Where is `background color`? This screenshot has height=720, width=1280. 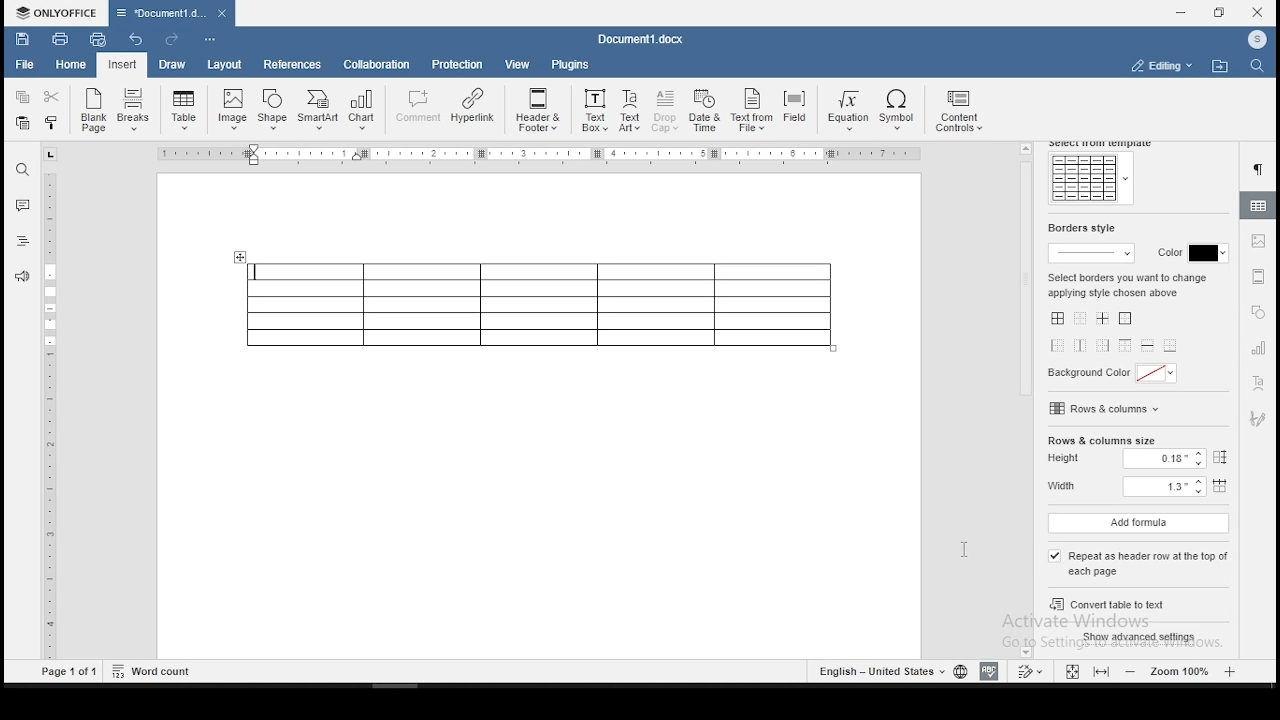 background color is located at coordinates (1115, 375).